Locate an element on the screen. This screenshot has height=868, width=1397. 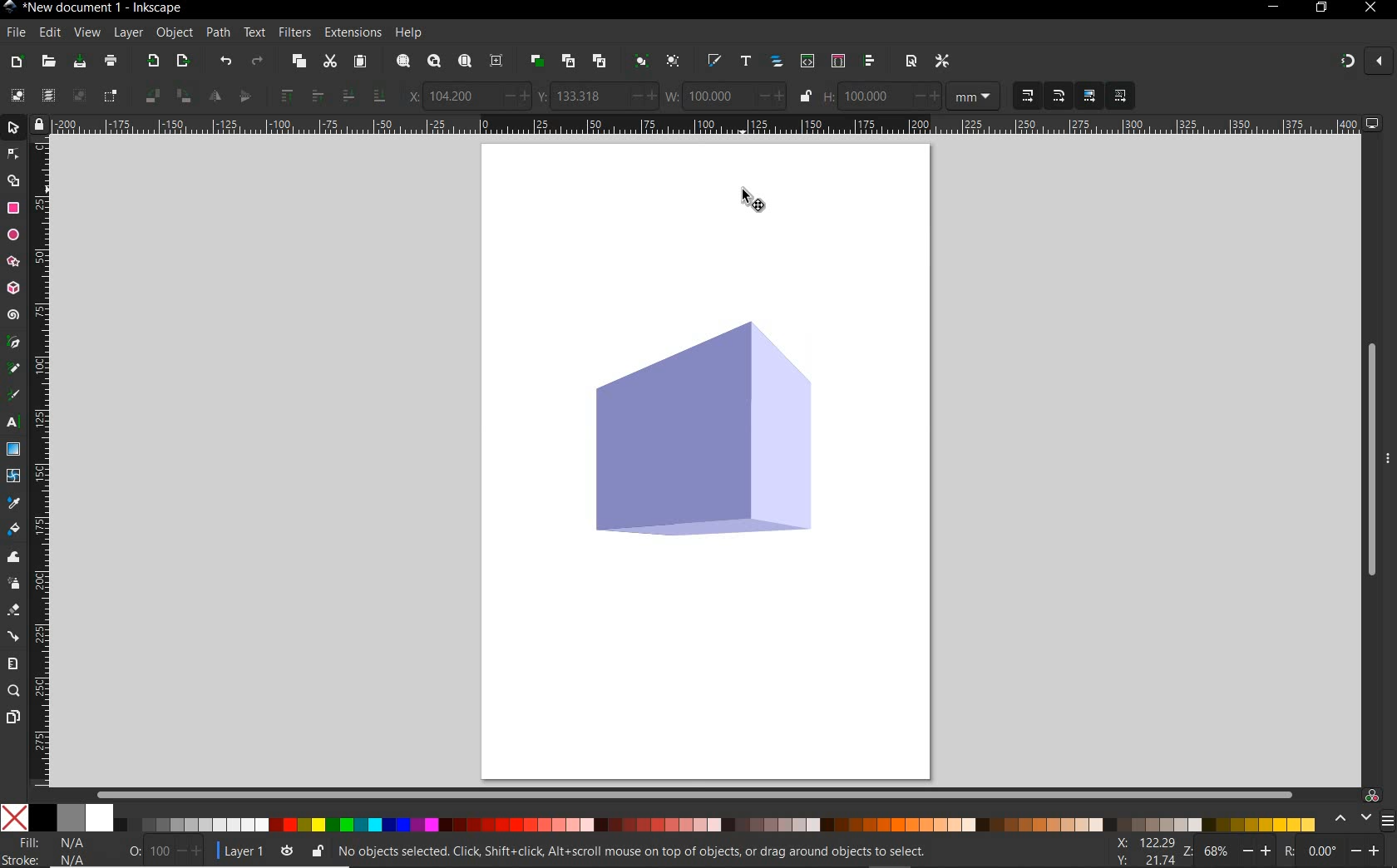
file is located at coordinates (16, 33).